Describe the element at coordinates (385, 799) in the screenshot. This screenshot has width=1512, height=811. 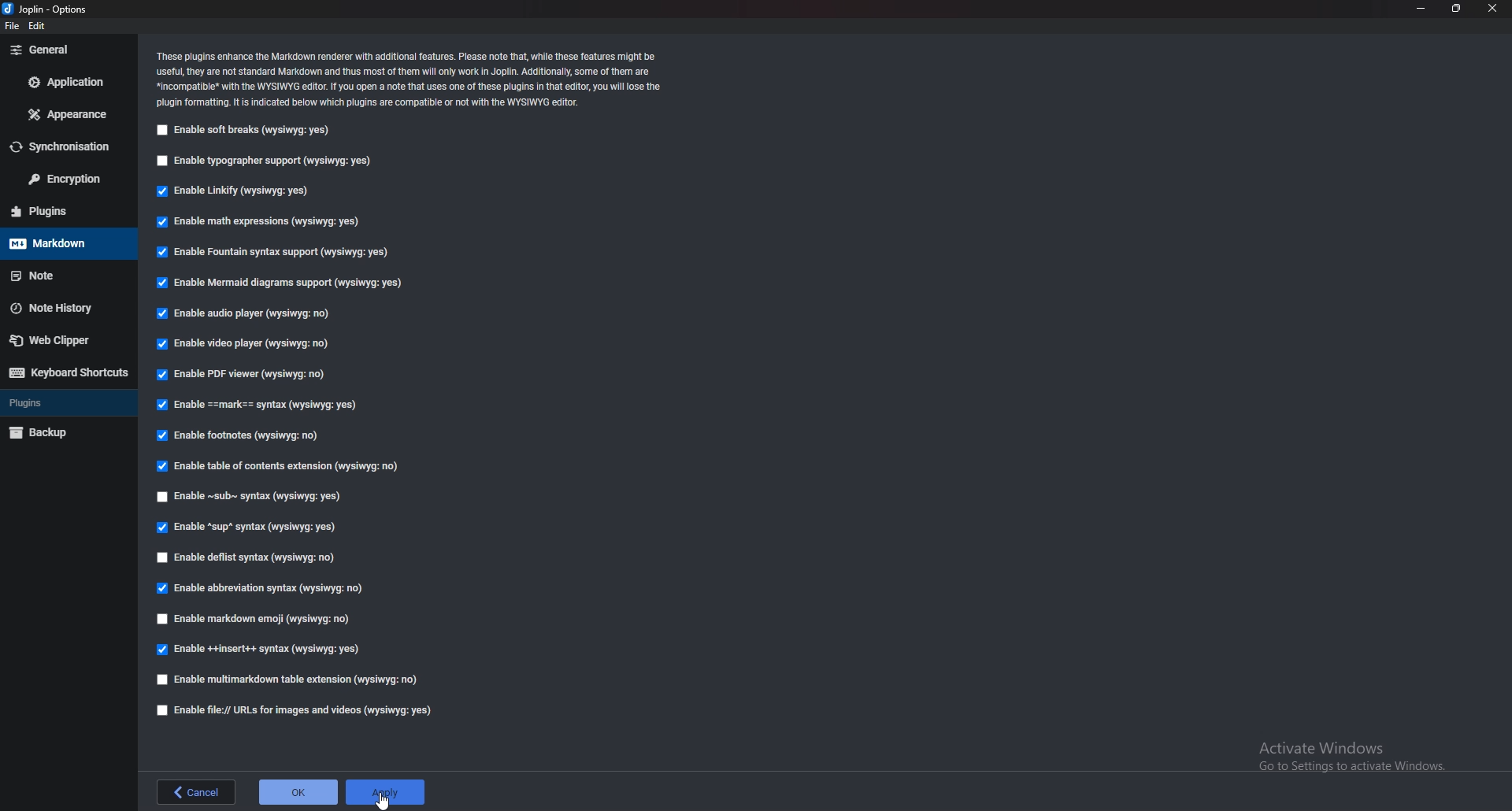
I see `cursor` at that location.